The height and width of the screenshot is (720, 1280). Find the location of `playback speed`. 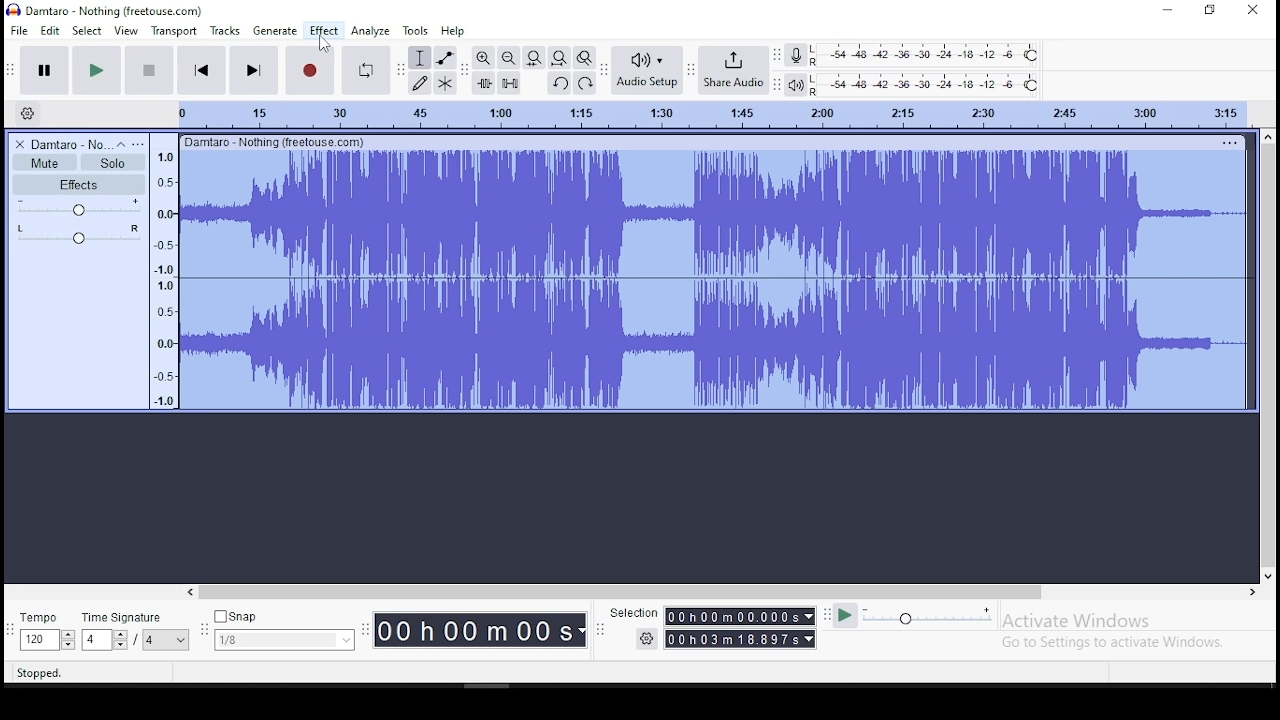

playback speed is located at coordinates (913, 618).